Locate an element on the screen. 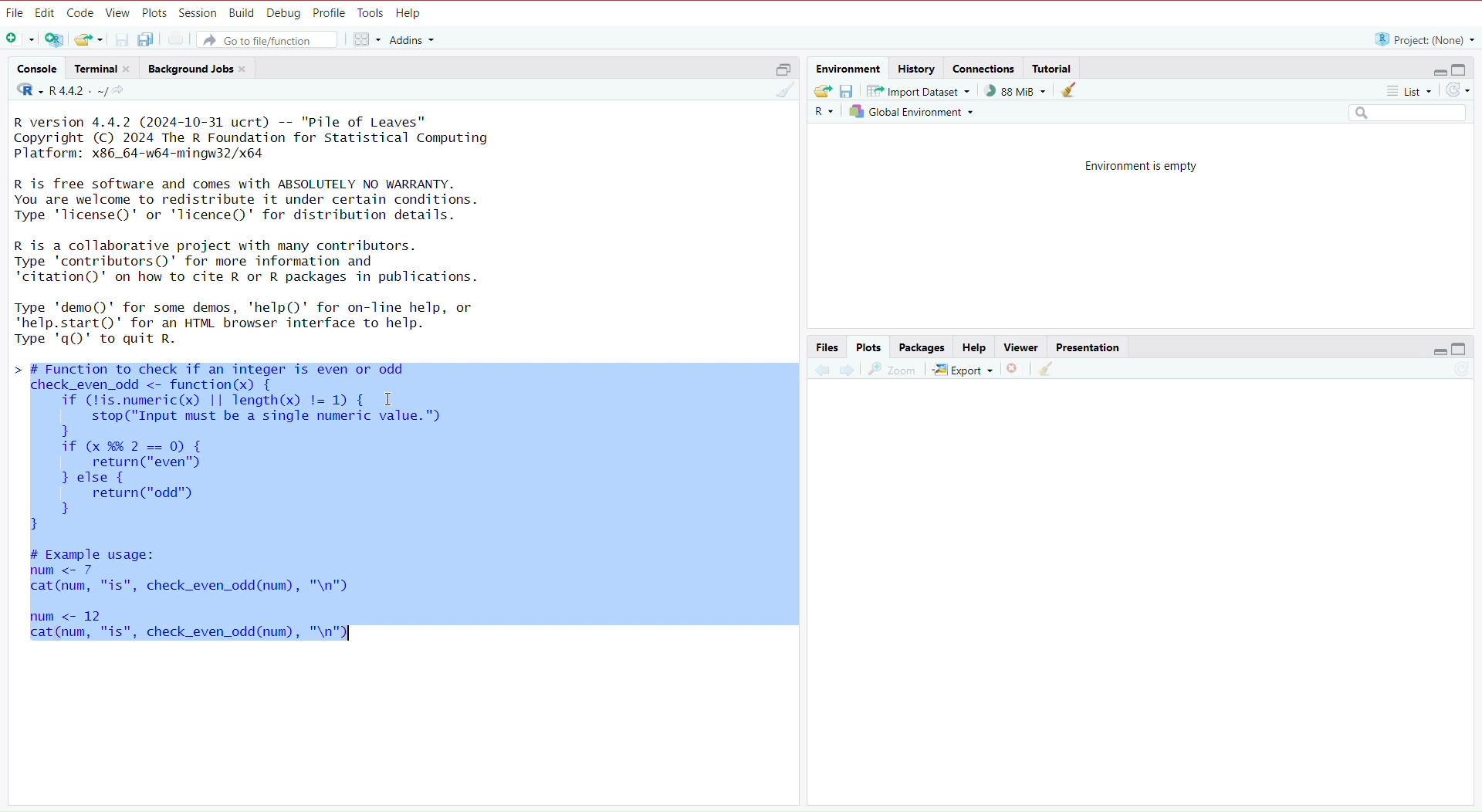  88mb is located at coordinates (1017, 91).